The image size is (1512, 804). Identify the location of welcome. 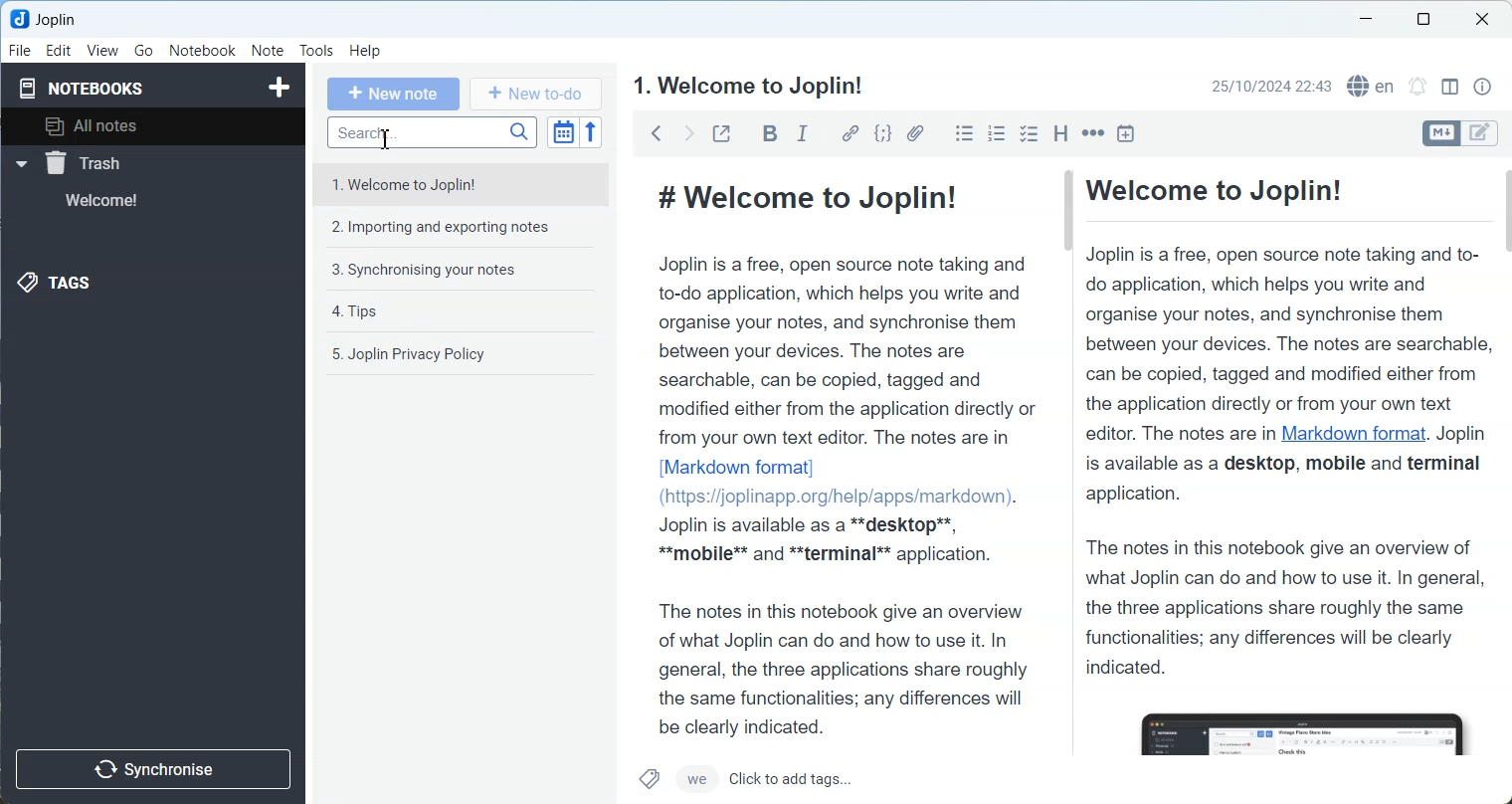
(127, 201).